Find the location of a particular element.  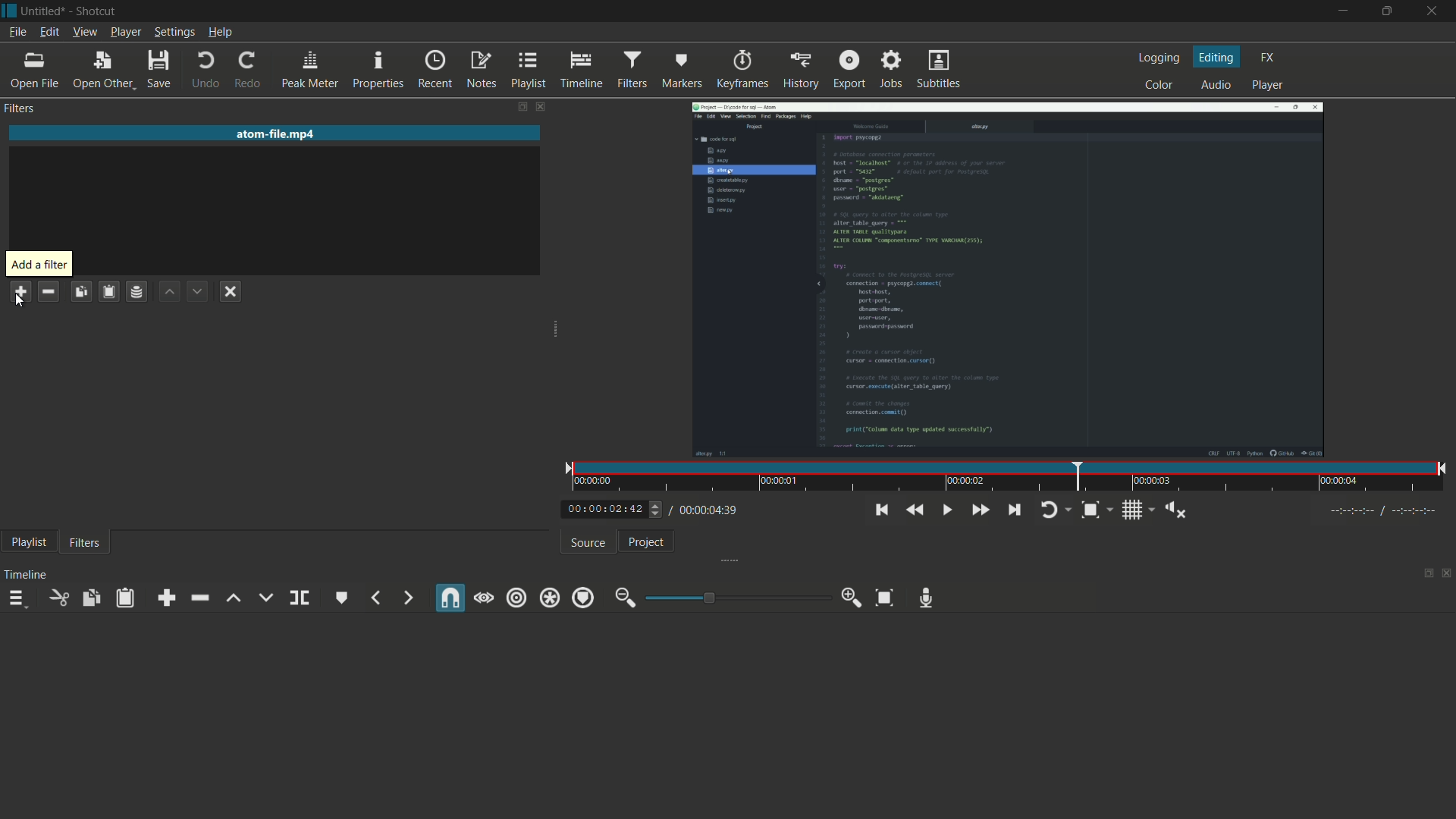

skip to the previous point is located at coordinates (880, 510).